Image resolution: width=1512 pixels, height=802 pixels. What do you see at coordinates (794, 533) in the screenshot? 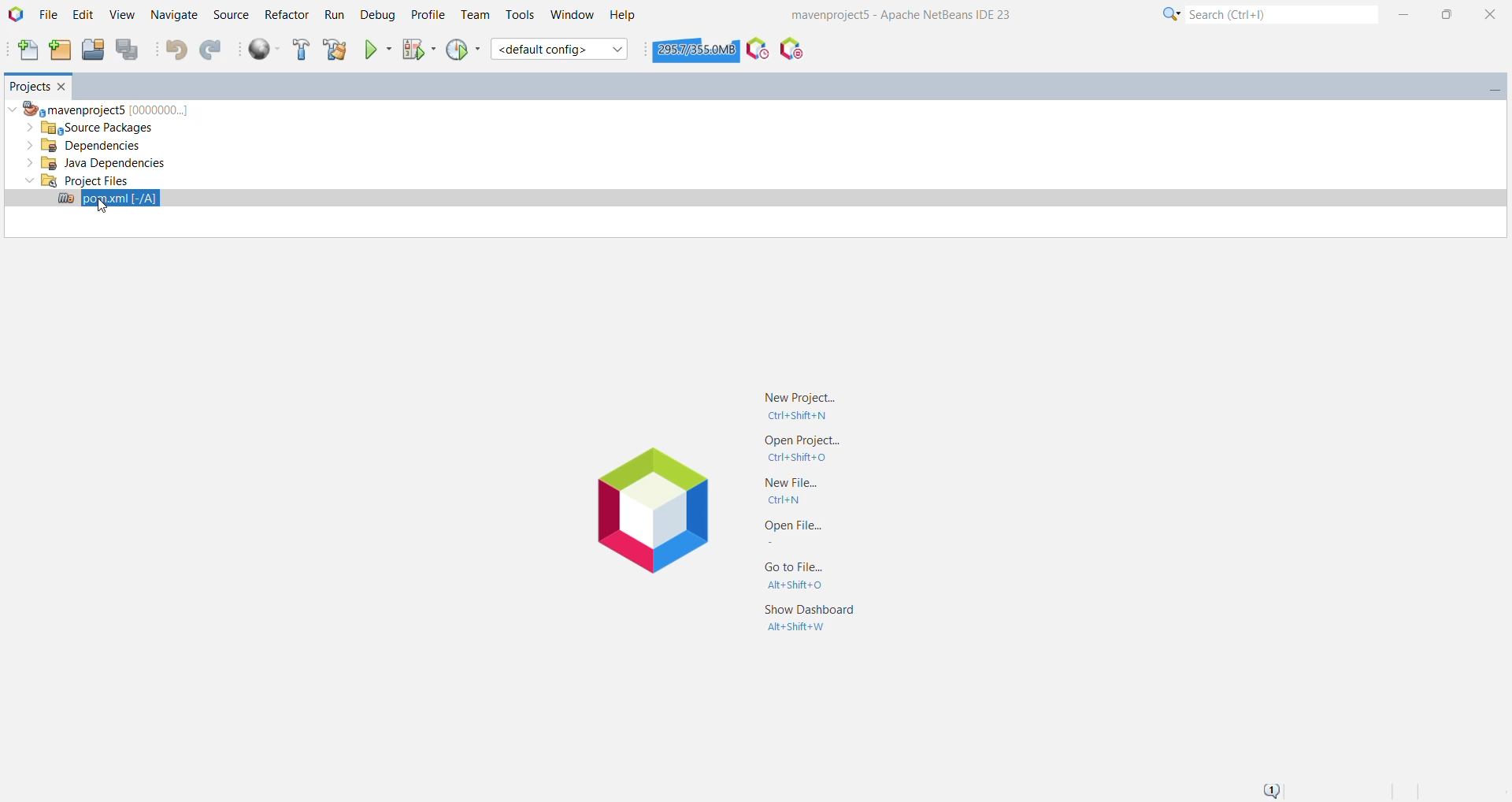
I see `Open File` at bounding box center [794, 533].